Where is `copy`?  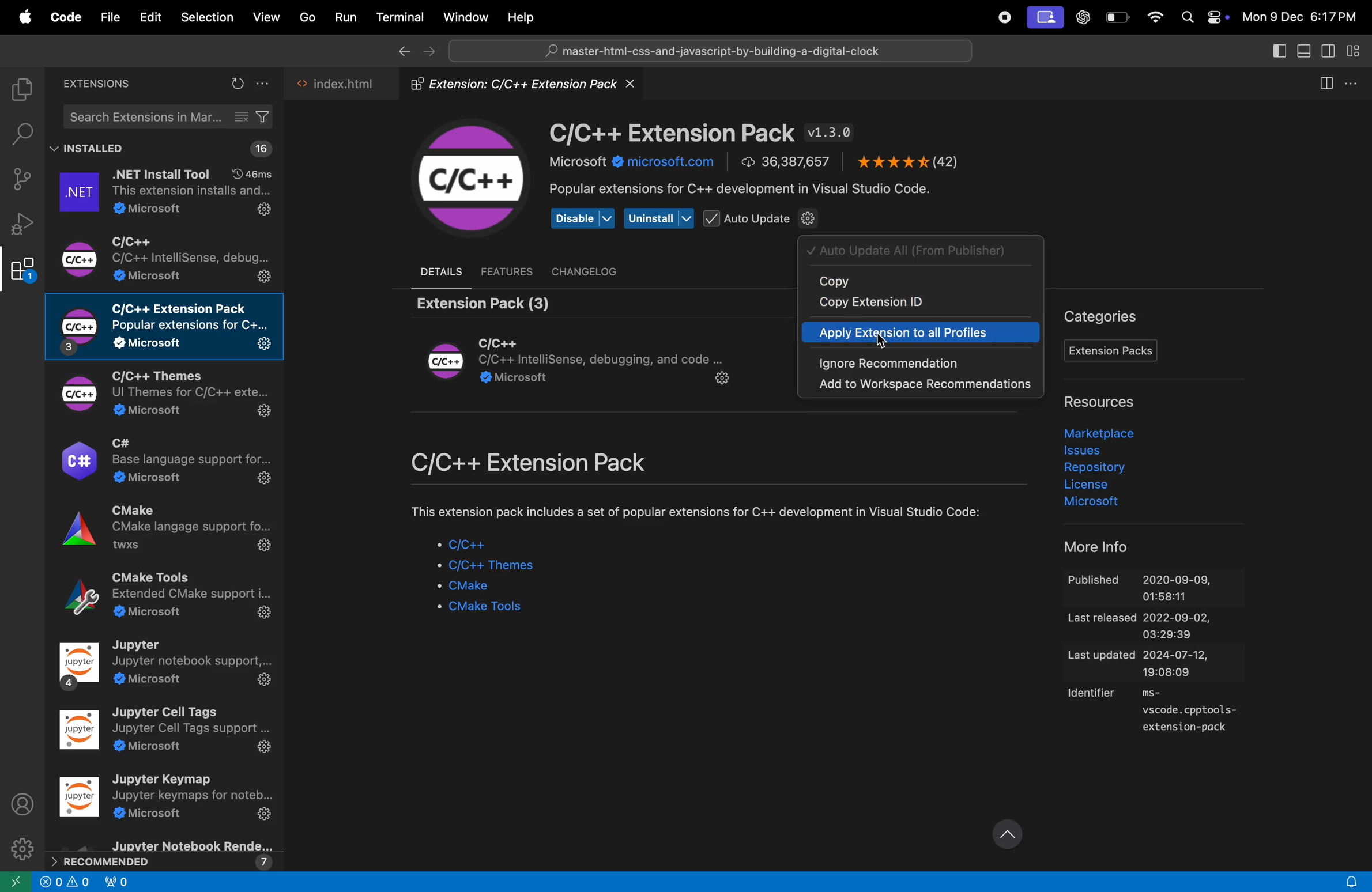
copy is located at coordinates (906, 281).